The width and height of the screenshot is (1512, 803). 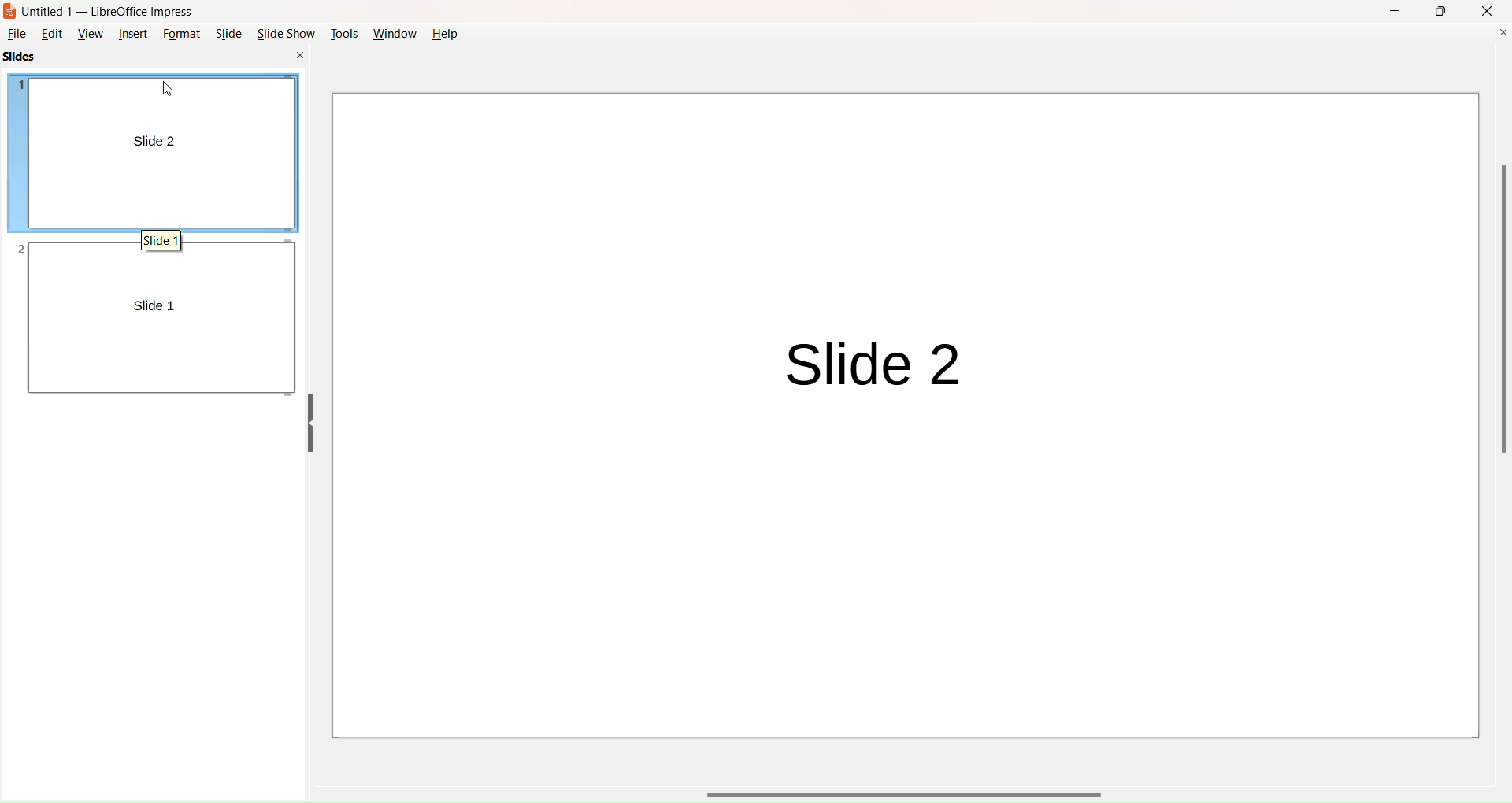 I want to click on close, so click(x=1490, y=13).